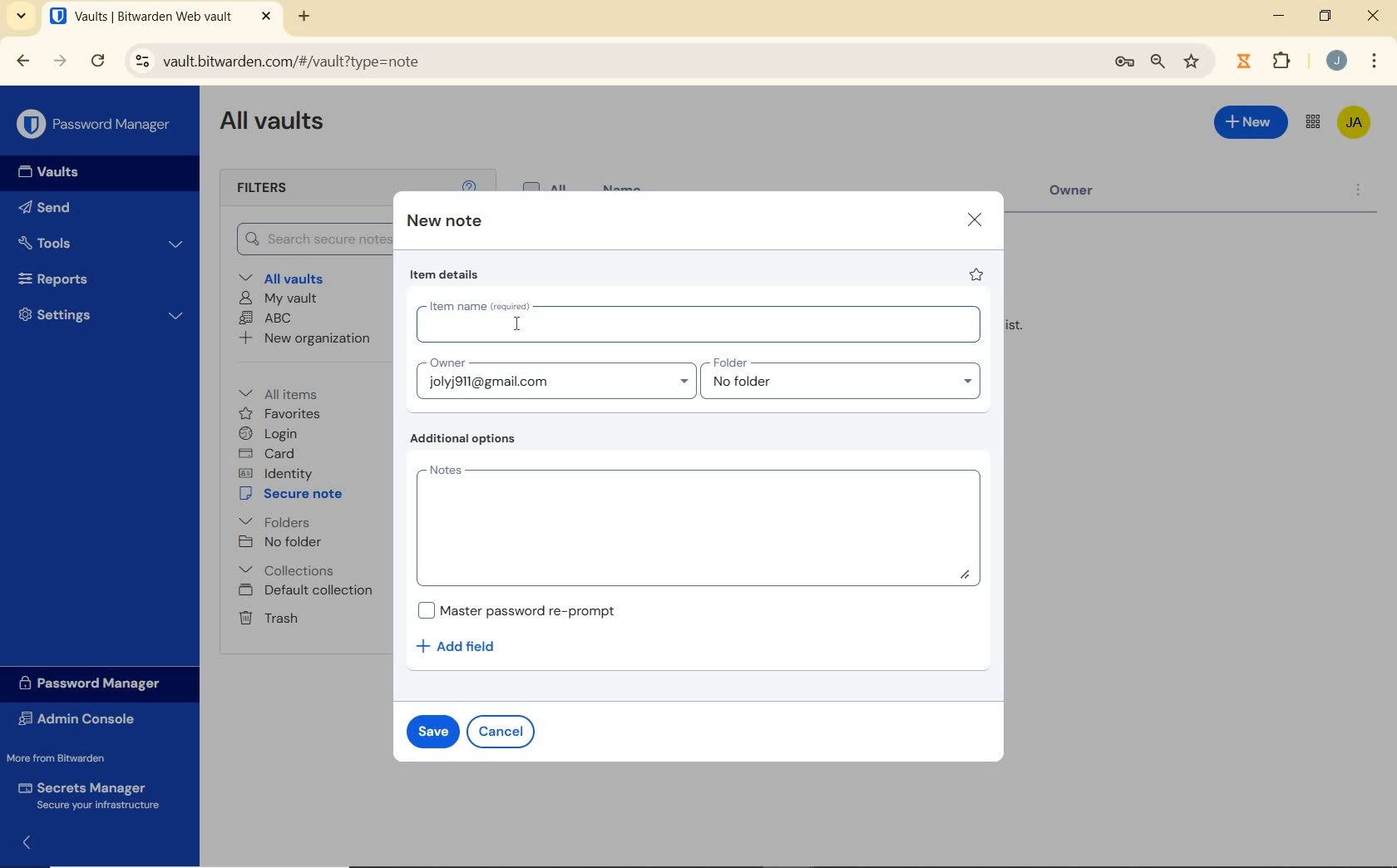  What do you see at coordinates (1373, 15) in the screenshot?
I see `close` at bounding box center [1373, 15].